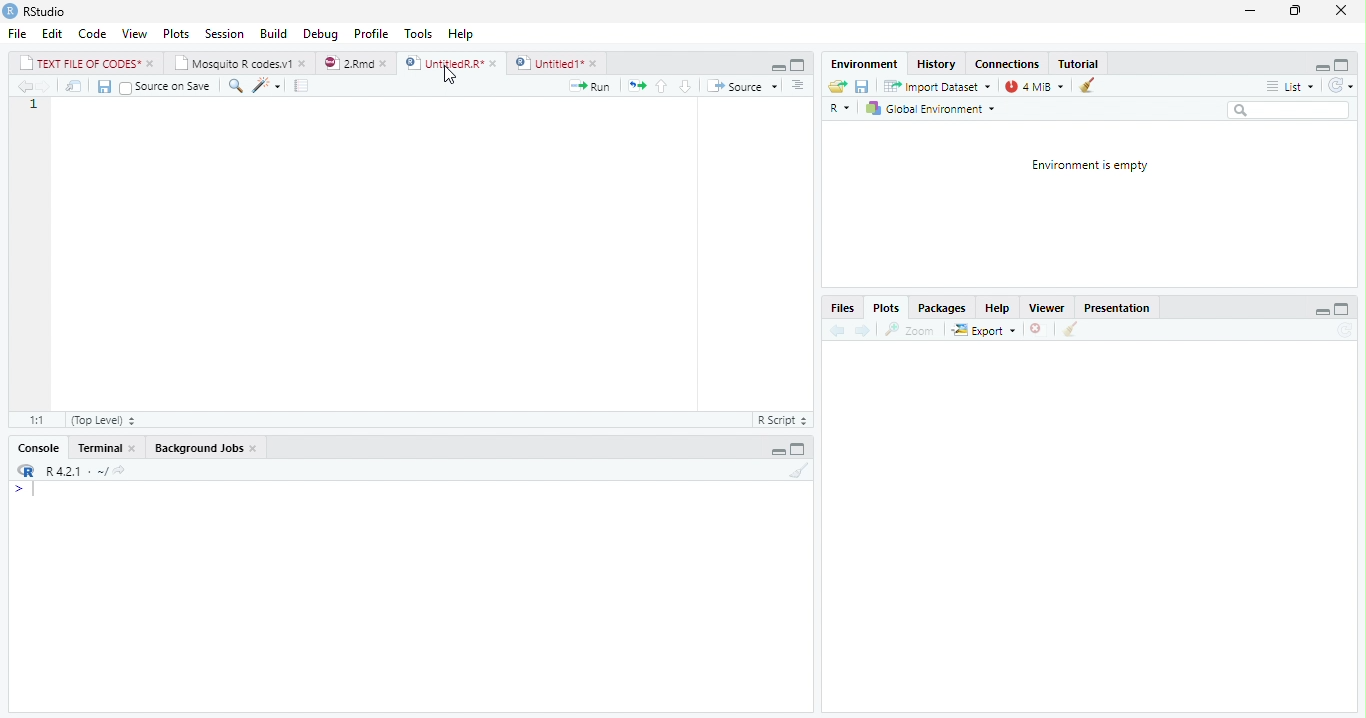  What do you see at coordinates (92, 35) in the screenshot?
I see `Code` at bounding box center [92, 35].